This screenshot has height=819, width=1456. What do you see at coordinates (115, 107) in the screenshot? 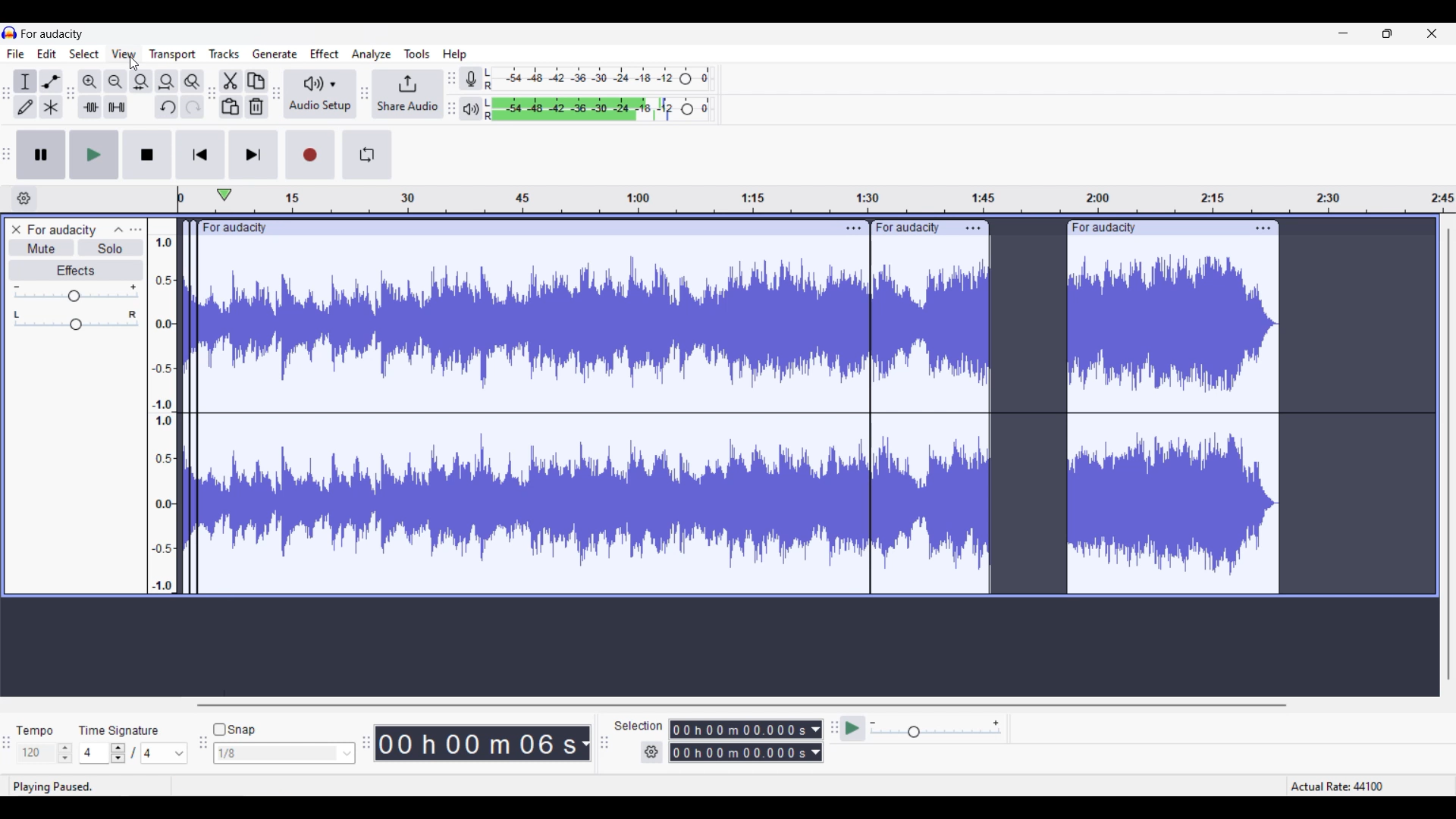
I see `Silence audio selection` at bounding box center [115, 107].